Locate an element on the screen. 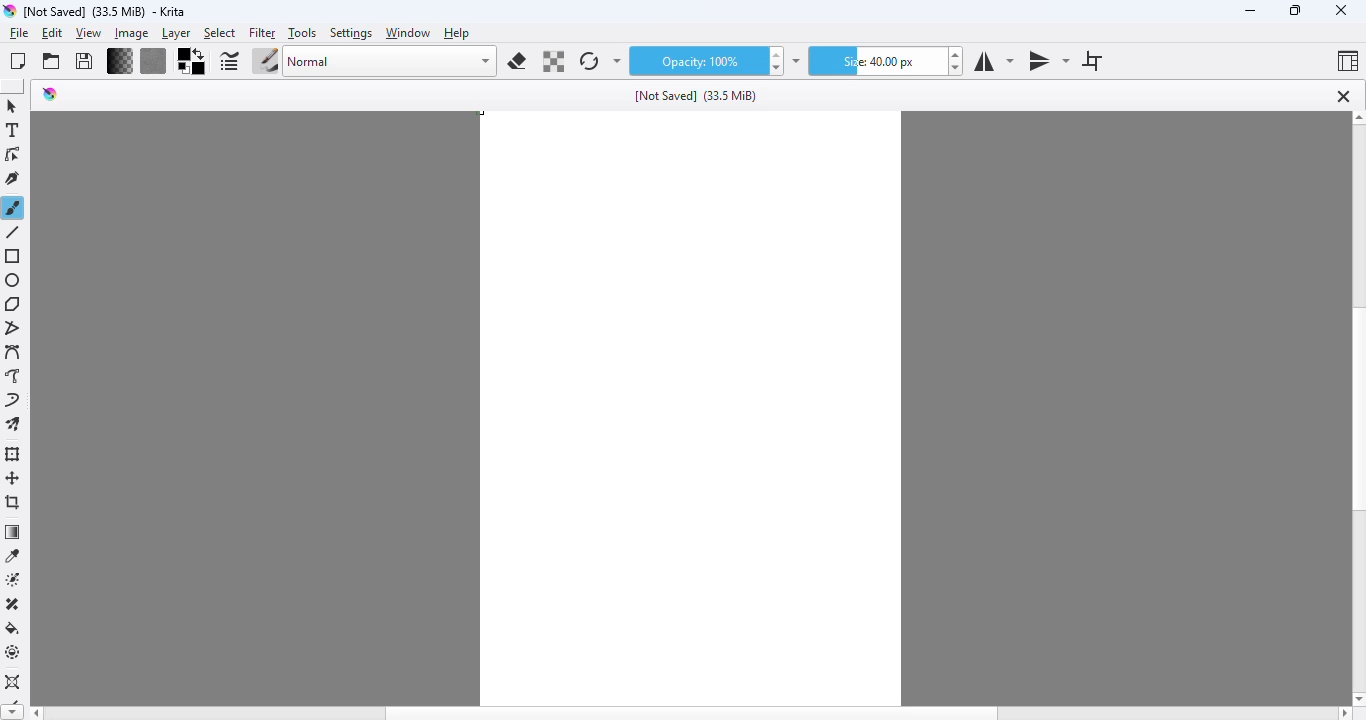 This screenshot has height=720, width=1366. Krita logo is located at coordinates (10, 10).